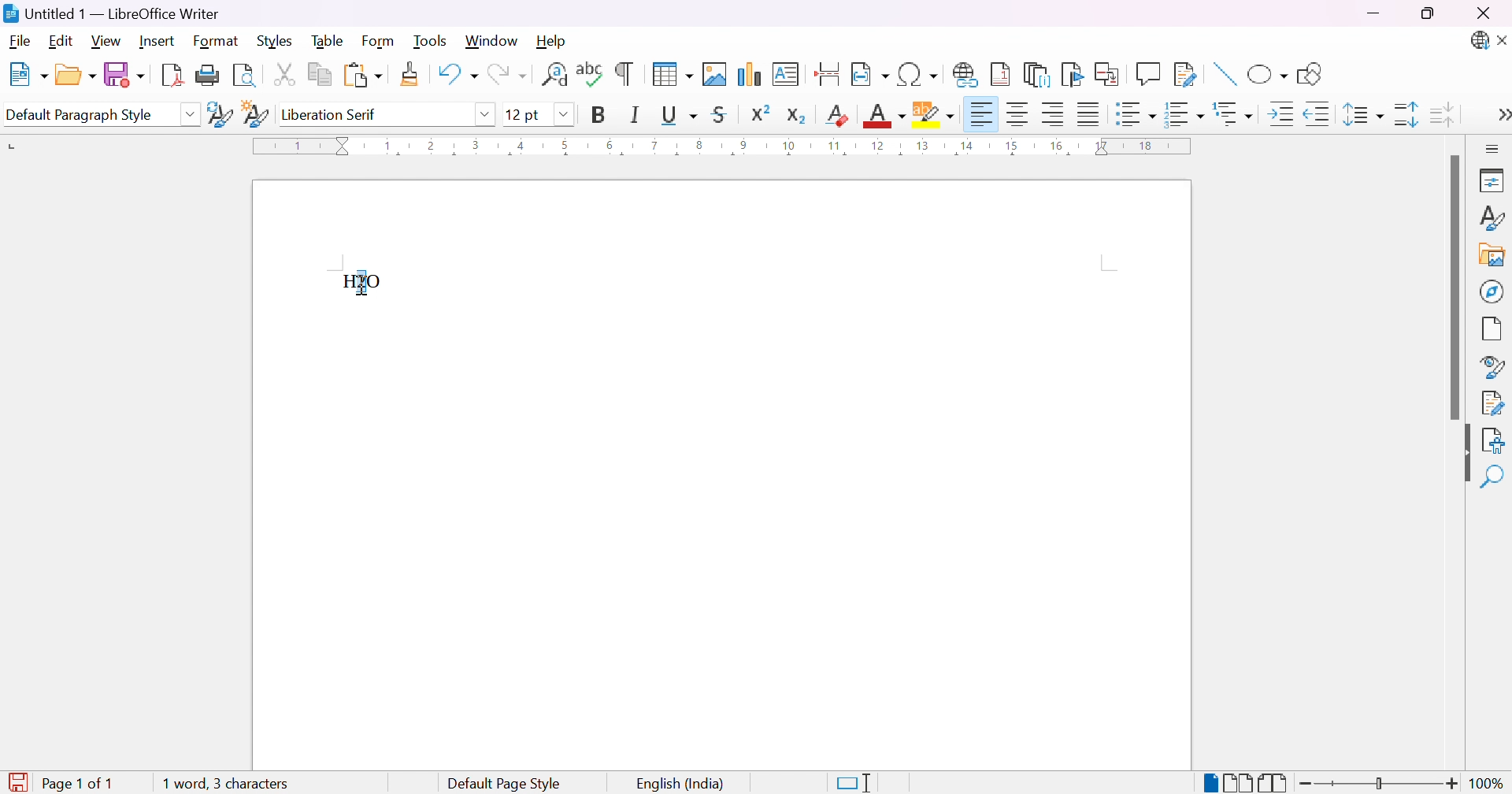 This screenshot has width=1512, height=794. I want to click on Subscript, so click(796, 116).